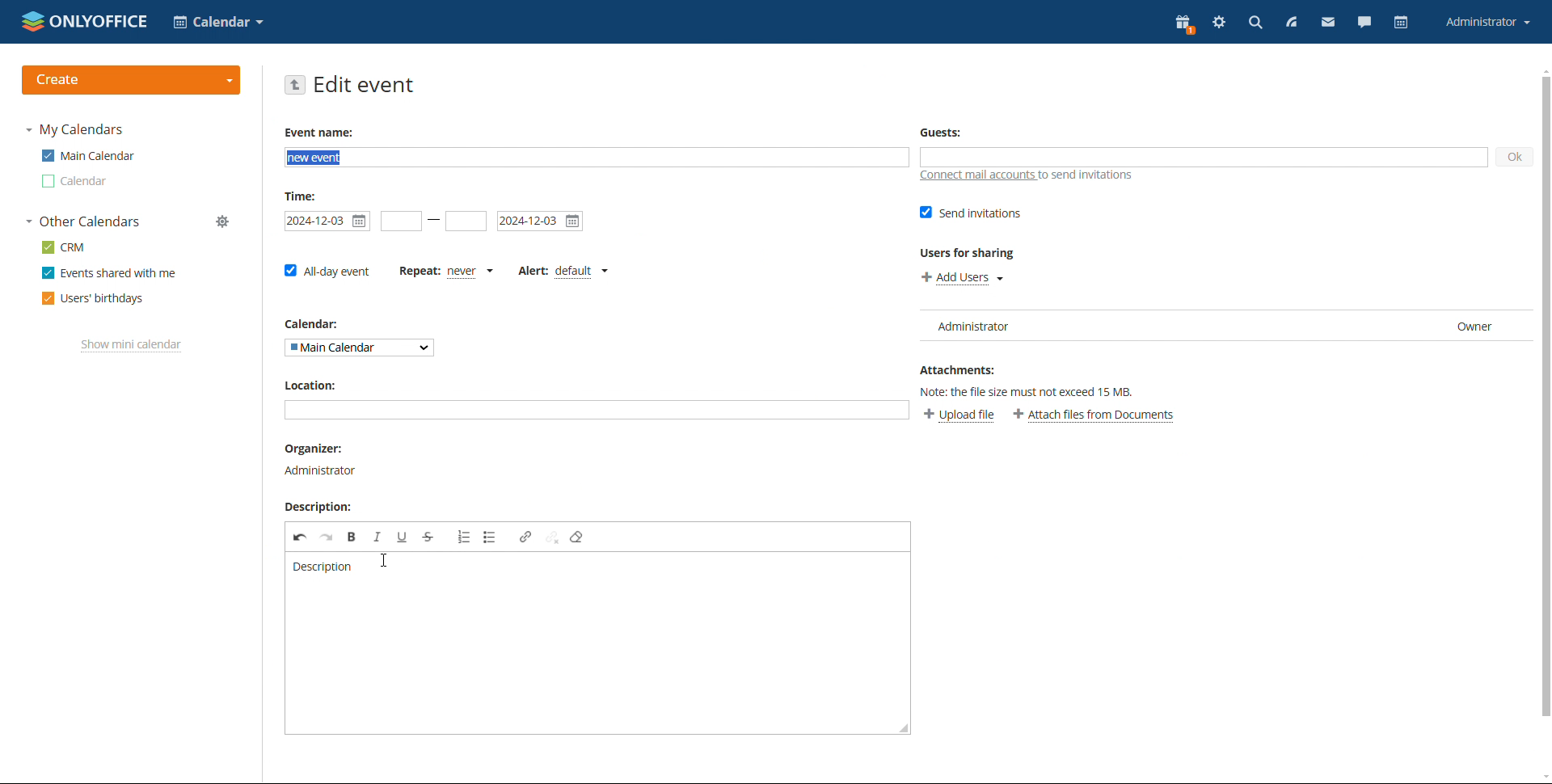  What do you see at coordinates (75, 130) in the screenshot?
I see `my calendars` at bounding box center [75, 130].